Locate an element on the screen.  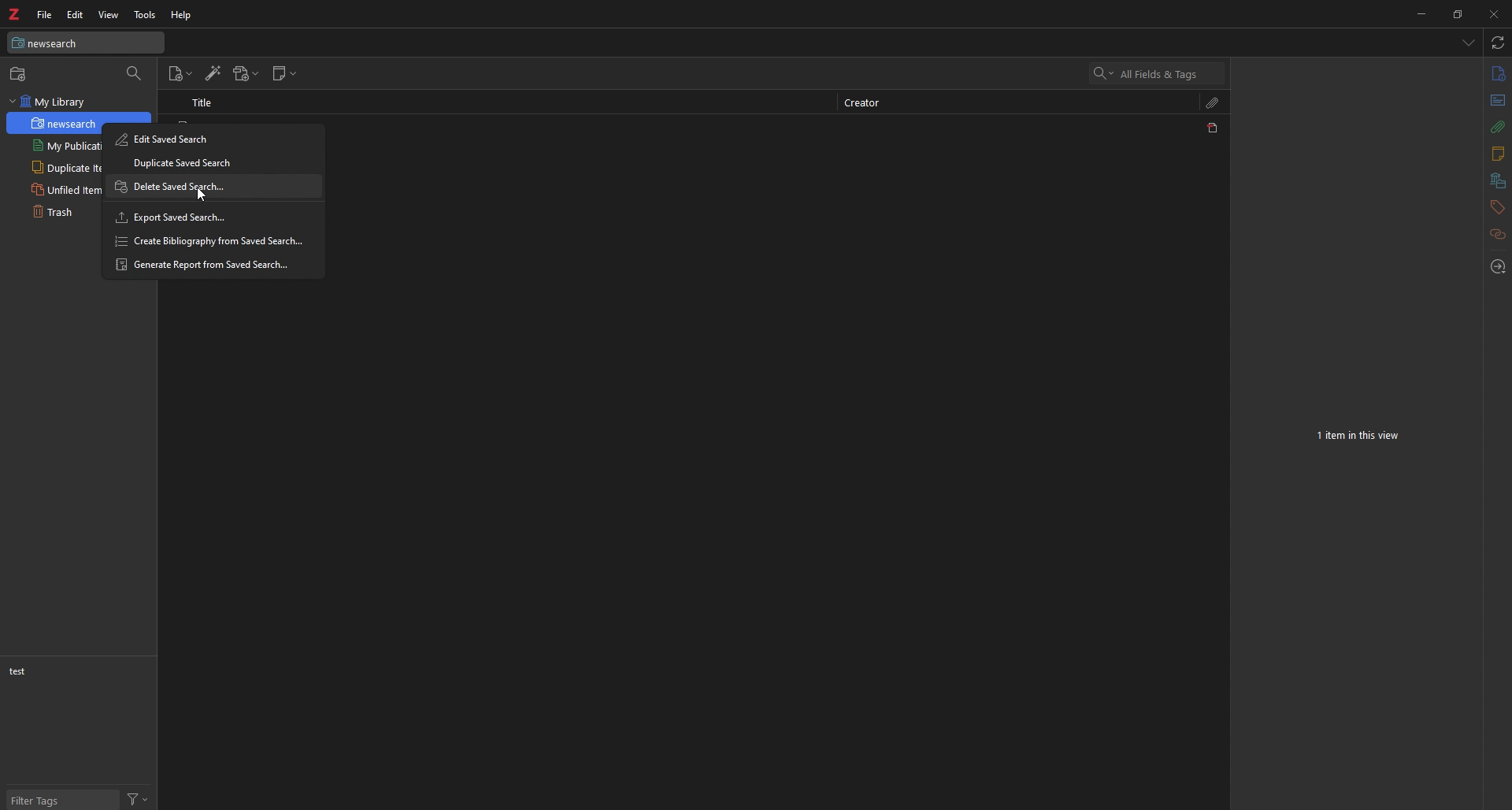
Filter Tags is located at coordinates (56, 800).